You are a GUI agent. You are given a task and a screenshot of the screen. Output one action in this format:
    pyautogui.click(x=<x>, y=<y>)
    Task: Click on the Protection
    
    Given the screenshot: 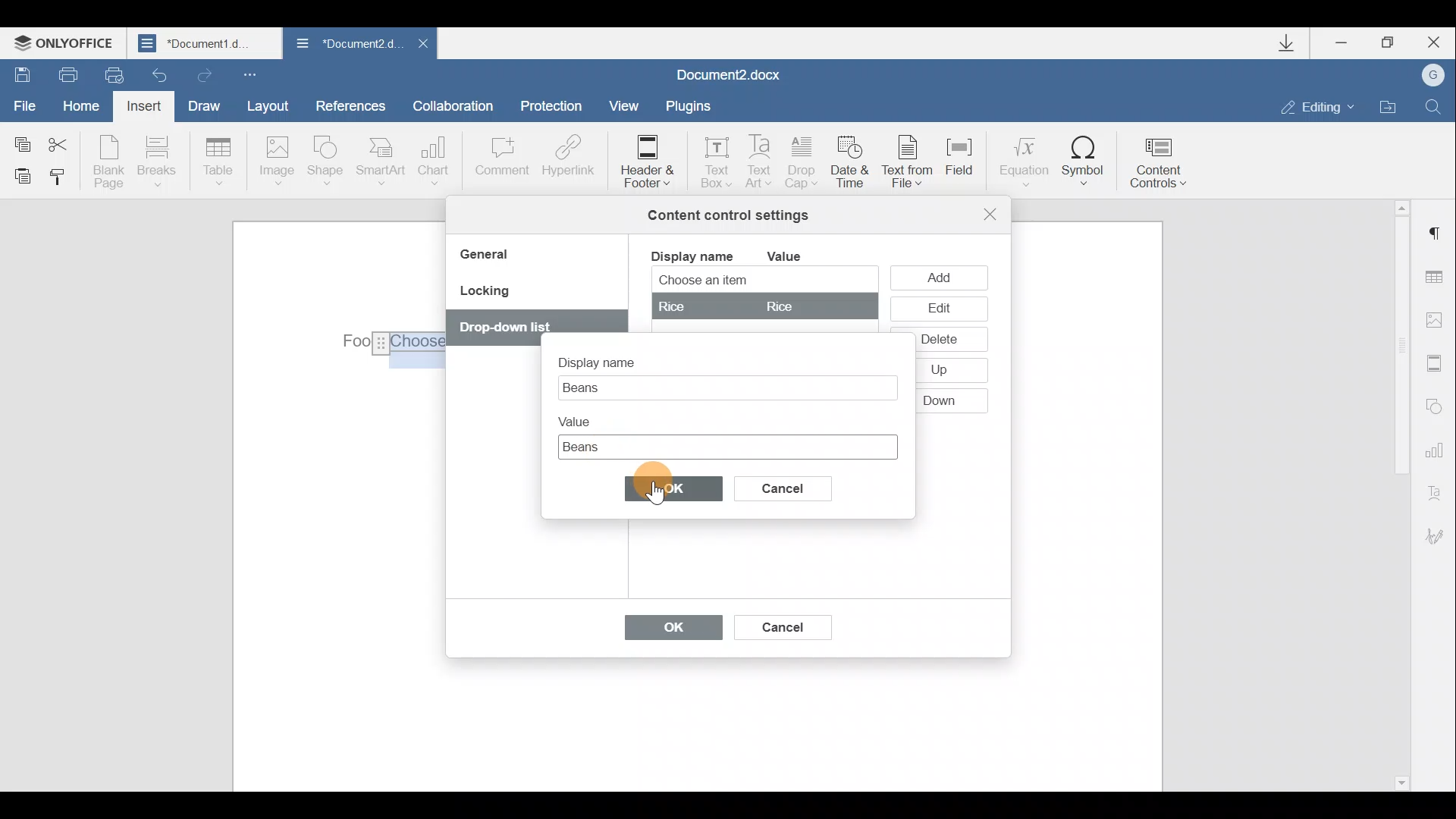 What is the action you would take?
    pyautogui.click(x=555, y=108)
    